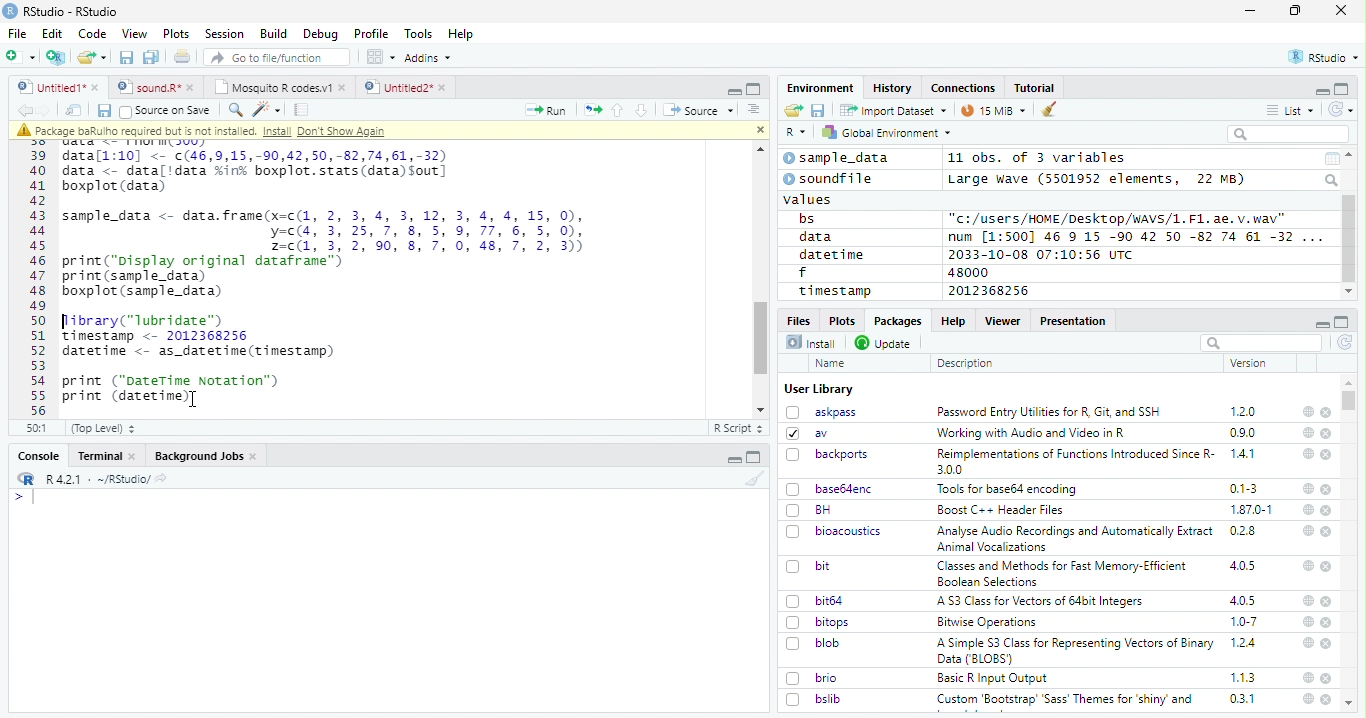 Image resolution: width=1366 pixels, height=718 pixels. I want to click on Password Entry Utilities for R, Git, and SSH, so click(1049, 412).